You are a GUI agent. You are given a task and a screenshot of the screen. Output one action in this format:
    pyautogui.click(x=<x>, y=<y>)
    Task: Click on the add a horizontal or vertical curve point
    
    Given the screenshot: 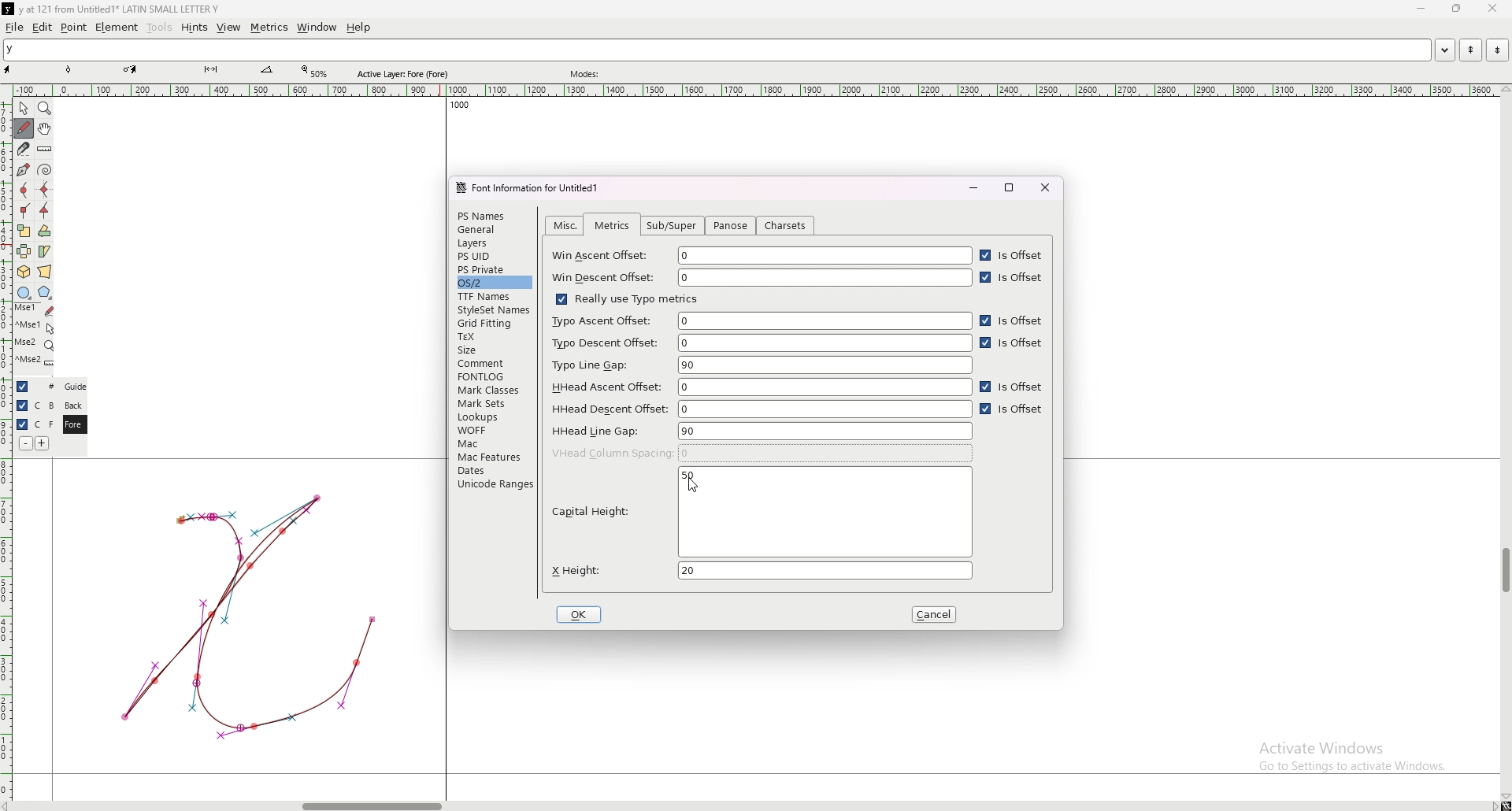 What is the action you would take?
    pyautogui.click(x=45, y=190)
    